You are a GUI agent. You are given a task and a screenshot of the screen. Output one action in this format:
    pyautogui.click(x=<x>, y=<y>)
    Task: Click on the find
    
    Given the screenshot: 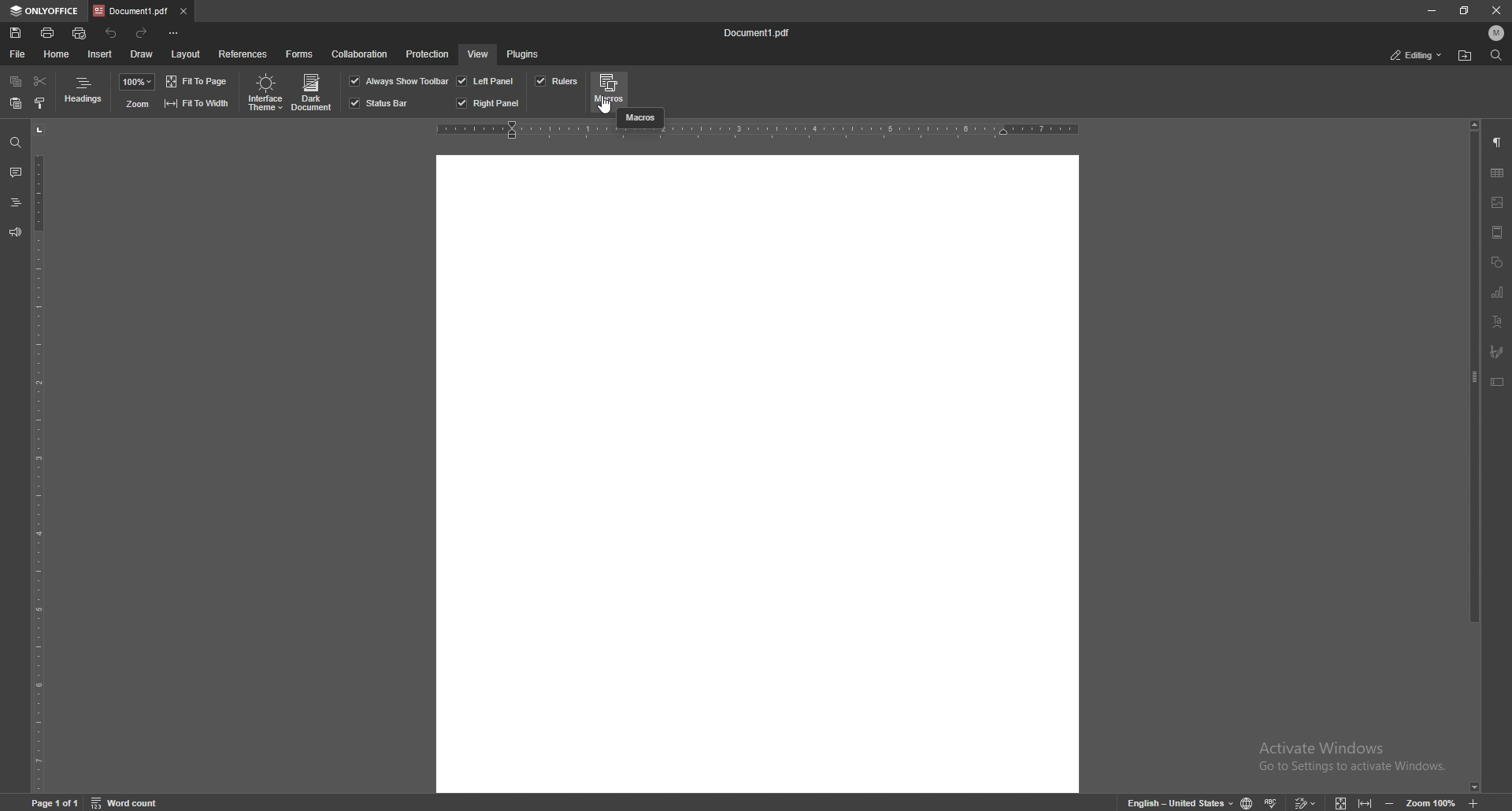 What is the action you would take?
    pyautogui.click(x=16, y=143)
    